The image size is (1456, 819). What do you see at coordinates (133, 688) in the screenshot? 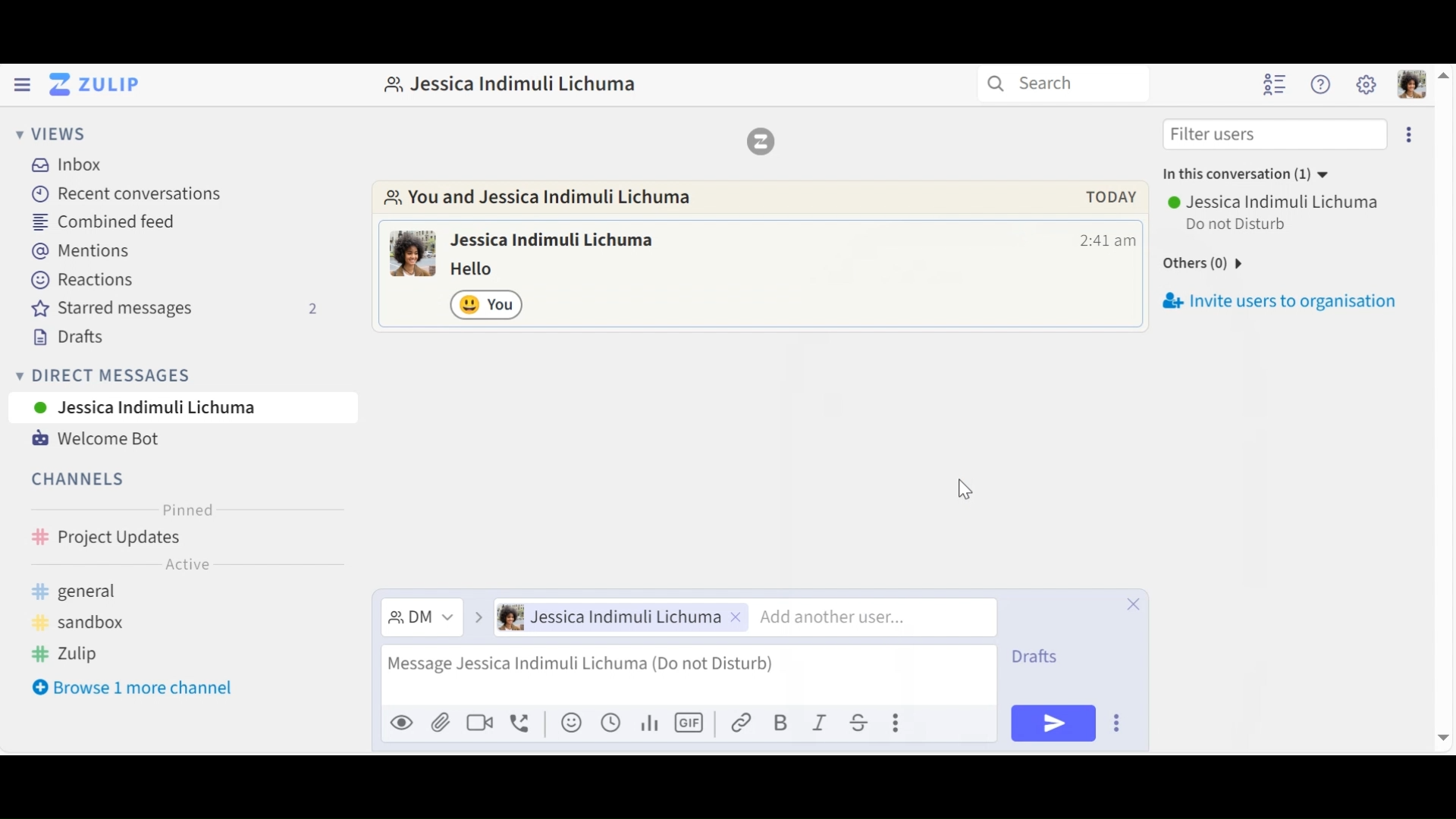
I see `Browse more channel` at bounding box center [133, 688].